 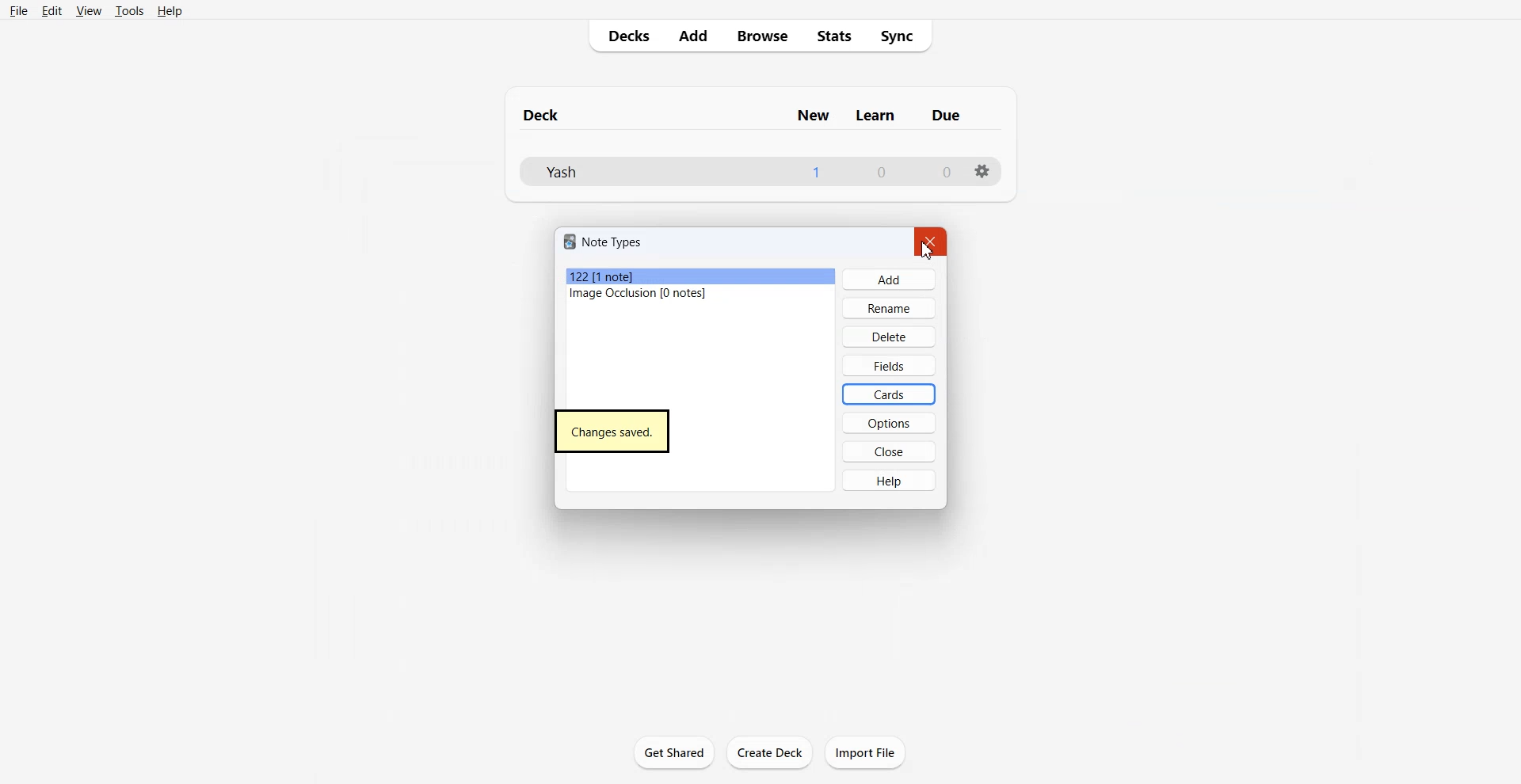 What do you see at coordinates (882, 173) in the screenshot?
I see `Text` at bounding box center [882, 173].